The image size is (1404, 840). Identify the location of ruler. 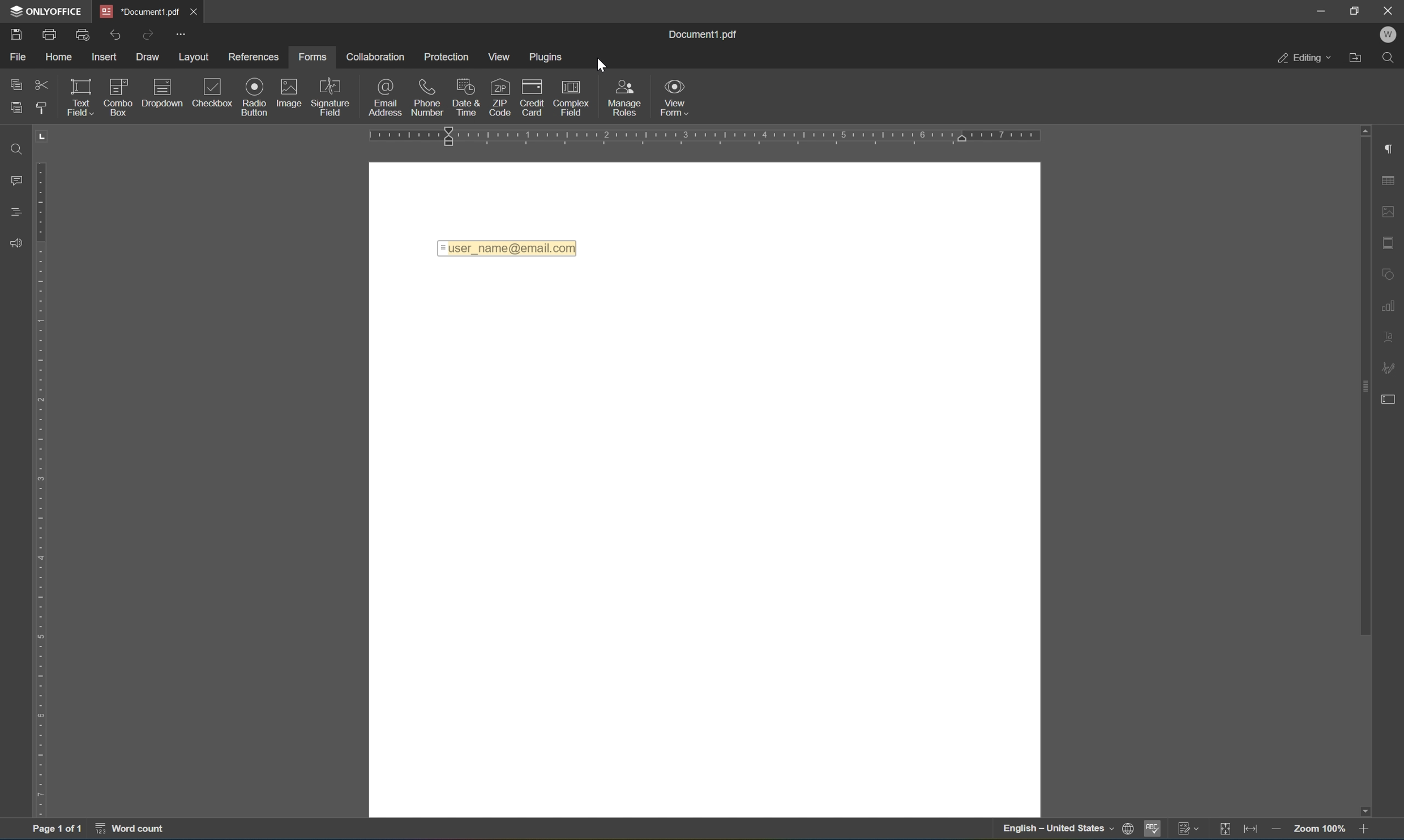
(43, 471).